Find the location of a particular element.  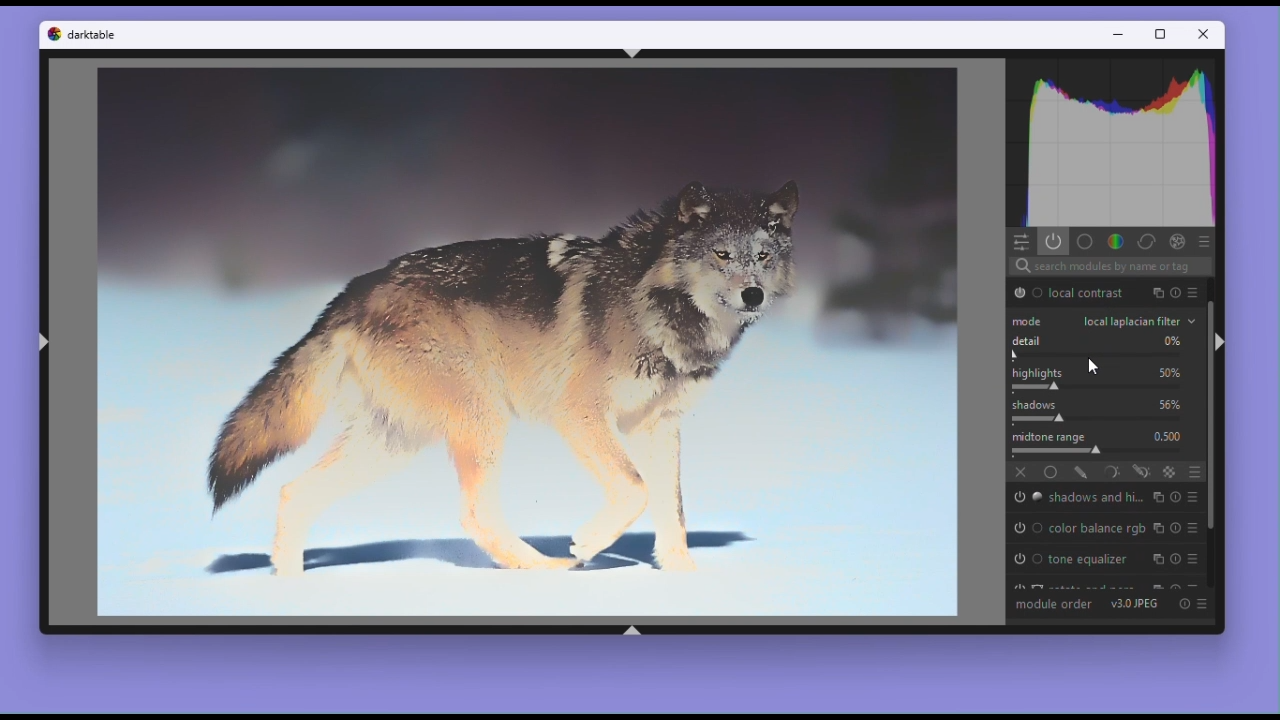

Multiple instance actions is located at coordinates (1156, 559).